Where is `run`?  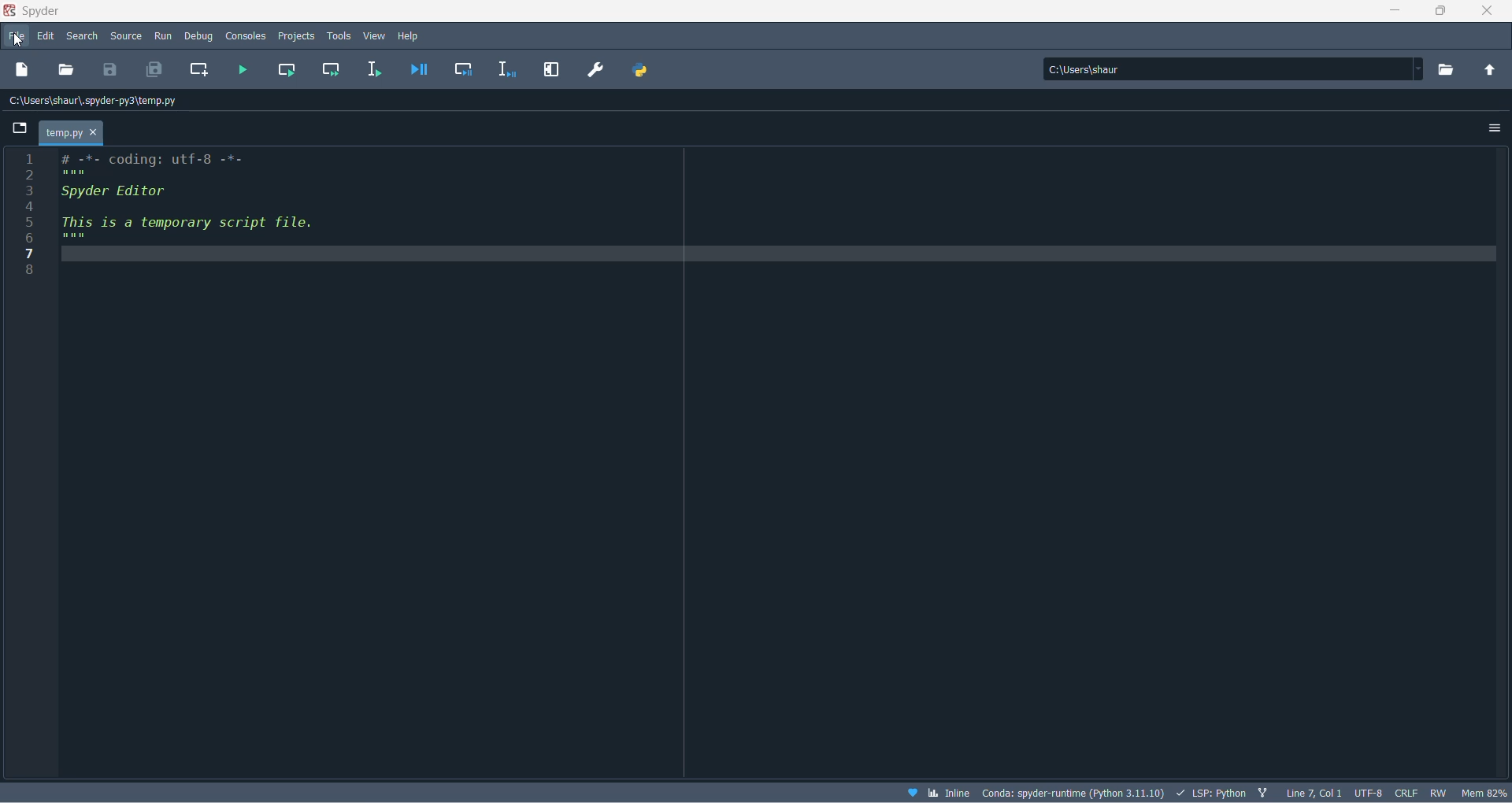
run is located at coordinates (162, 37).